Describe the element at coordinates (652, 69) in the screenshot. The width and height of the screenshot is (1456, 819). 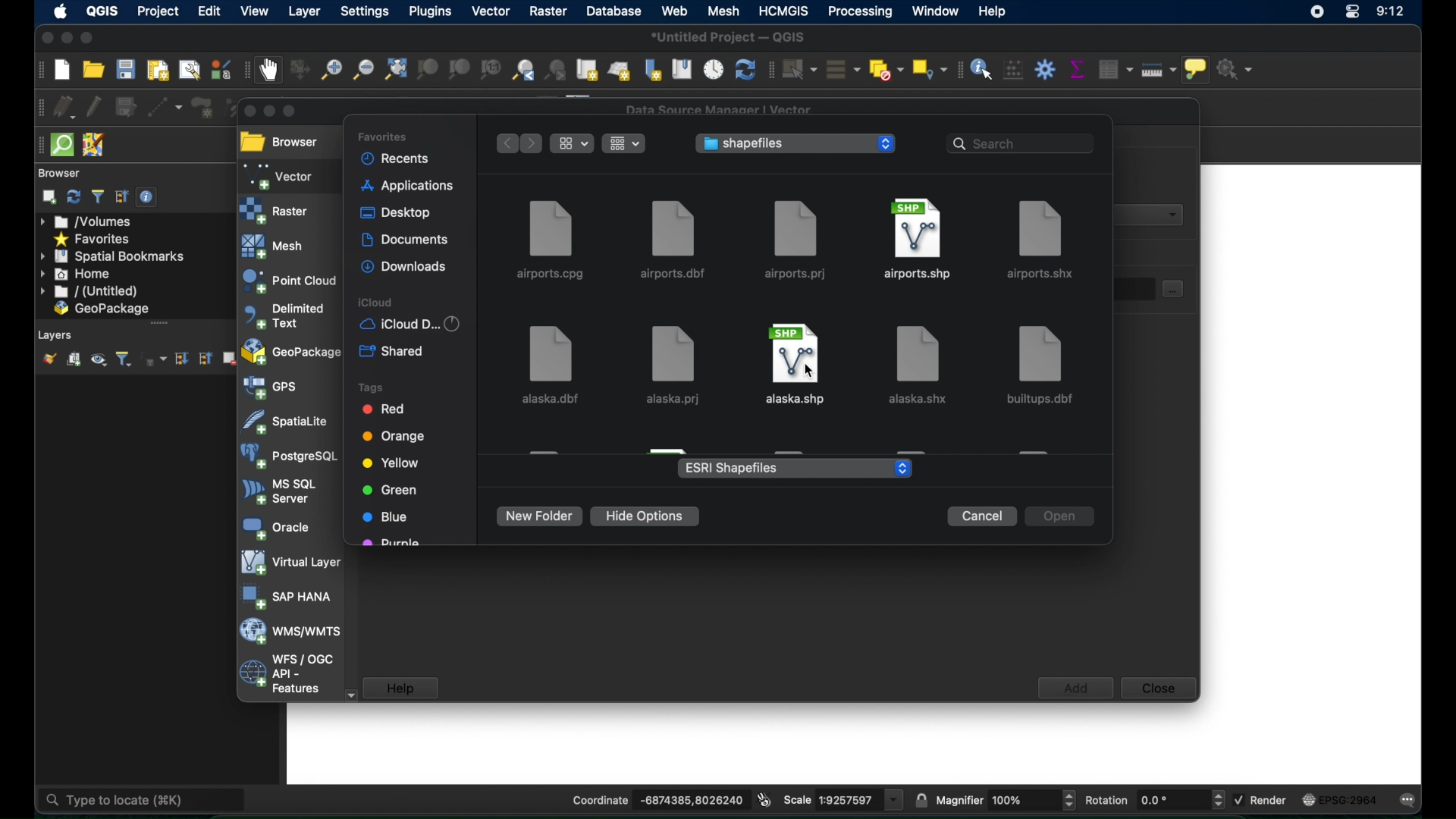
I see `new spatial bookmarks` at that location.